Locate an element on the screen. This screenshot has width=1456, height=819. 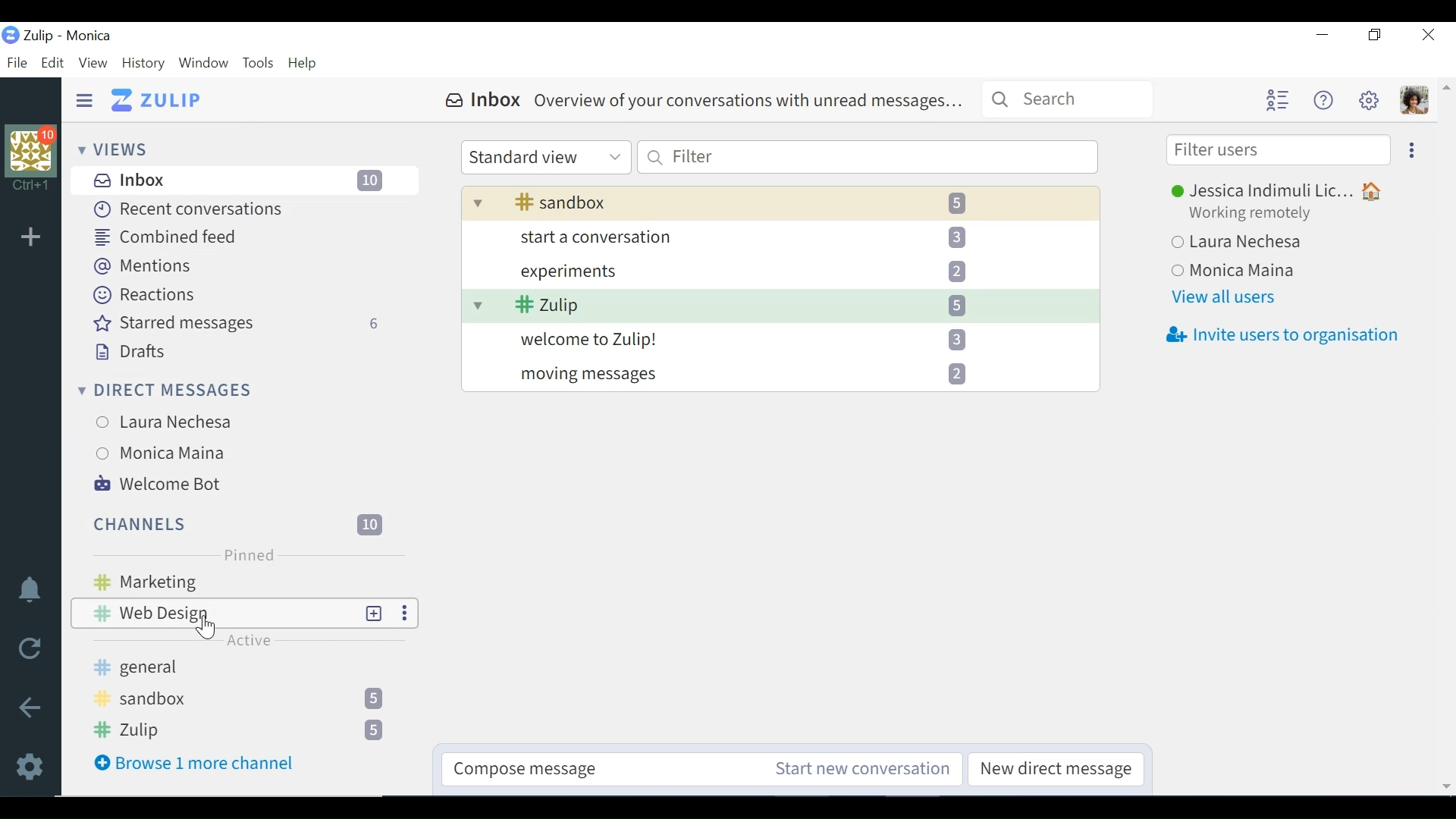
Go back is located at coordinates (31, 707).